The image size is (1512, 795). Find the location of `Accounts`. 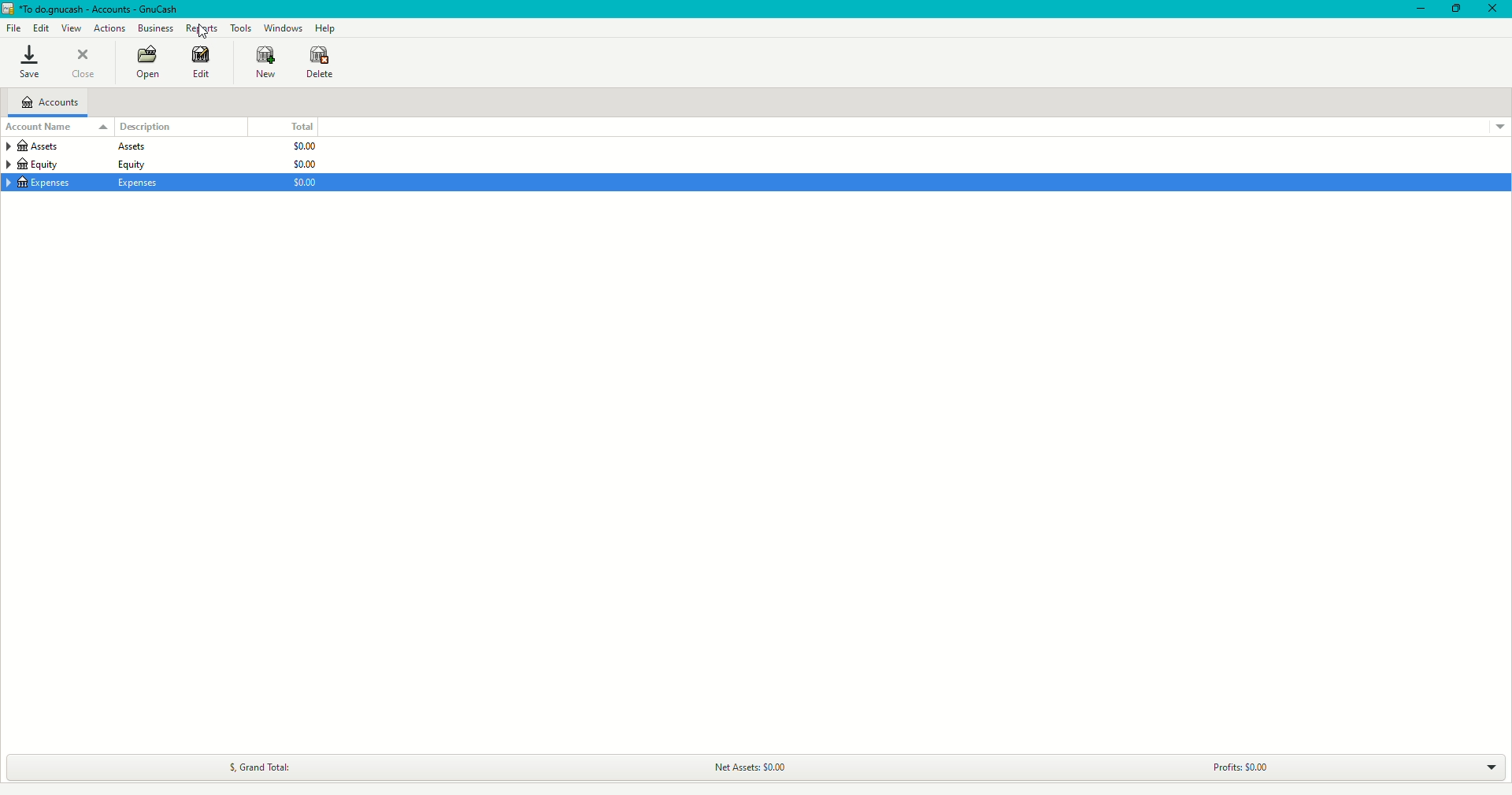

Accounts is located at coordinates (51, 100).